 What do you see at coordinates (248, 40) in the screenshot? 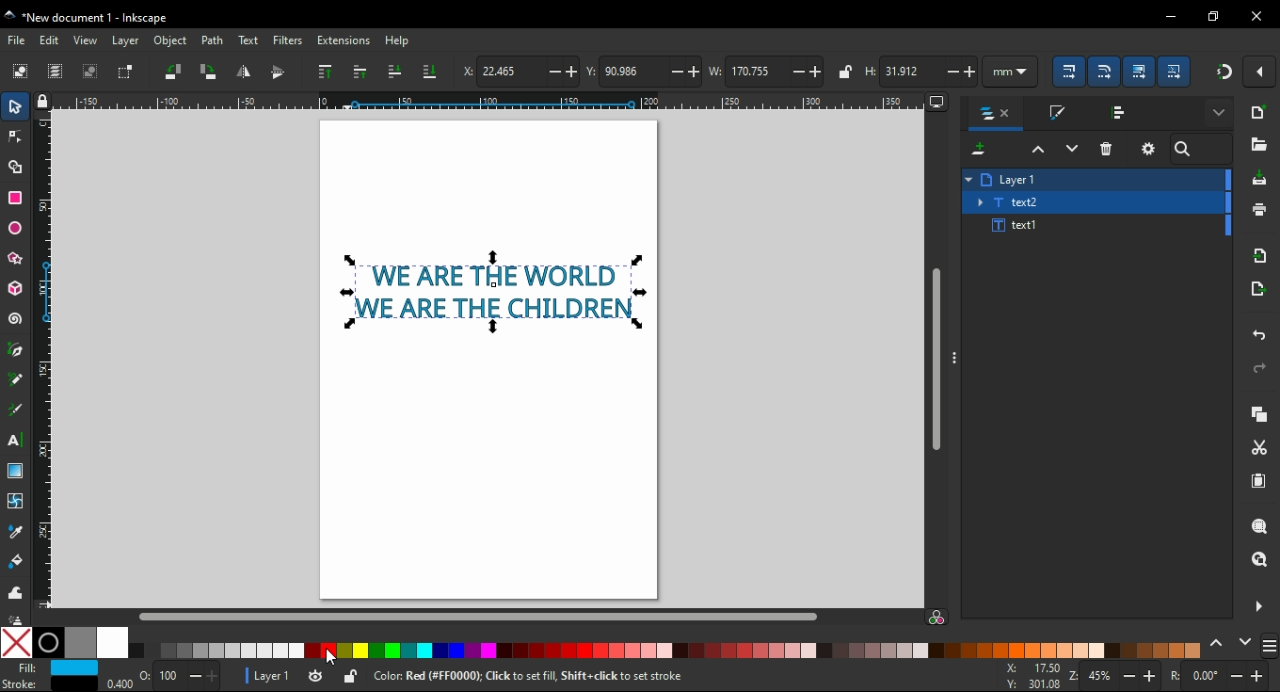
I see `text` at bounding box center [248, 40].